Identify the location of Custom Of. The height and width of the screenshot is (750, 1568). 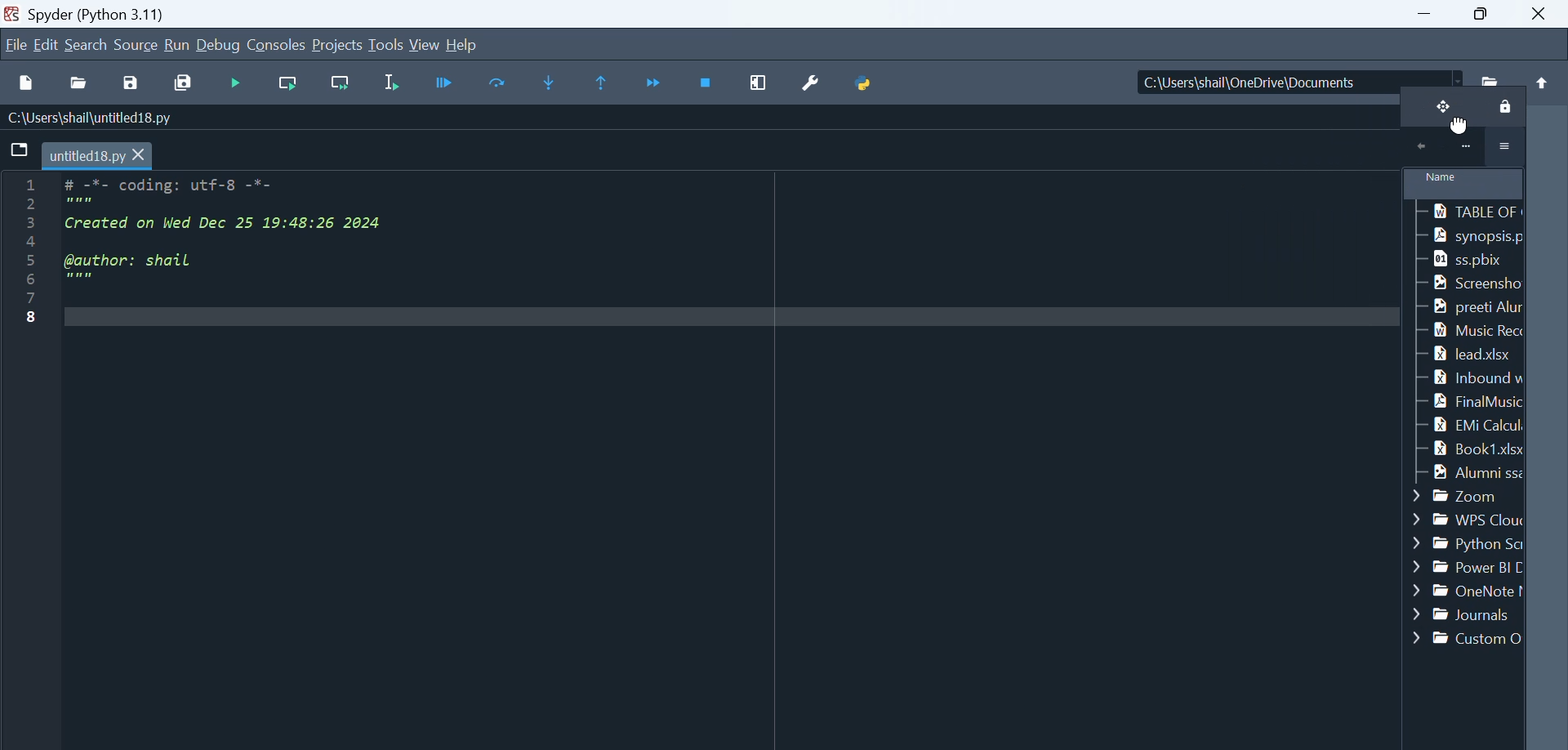
(1463, 638).